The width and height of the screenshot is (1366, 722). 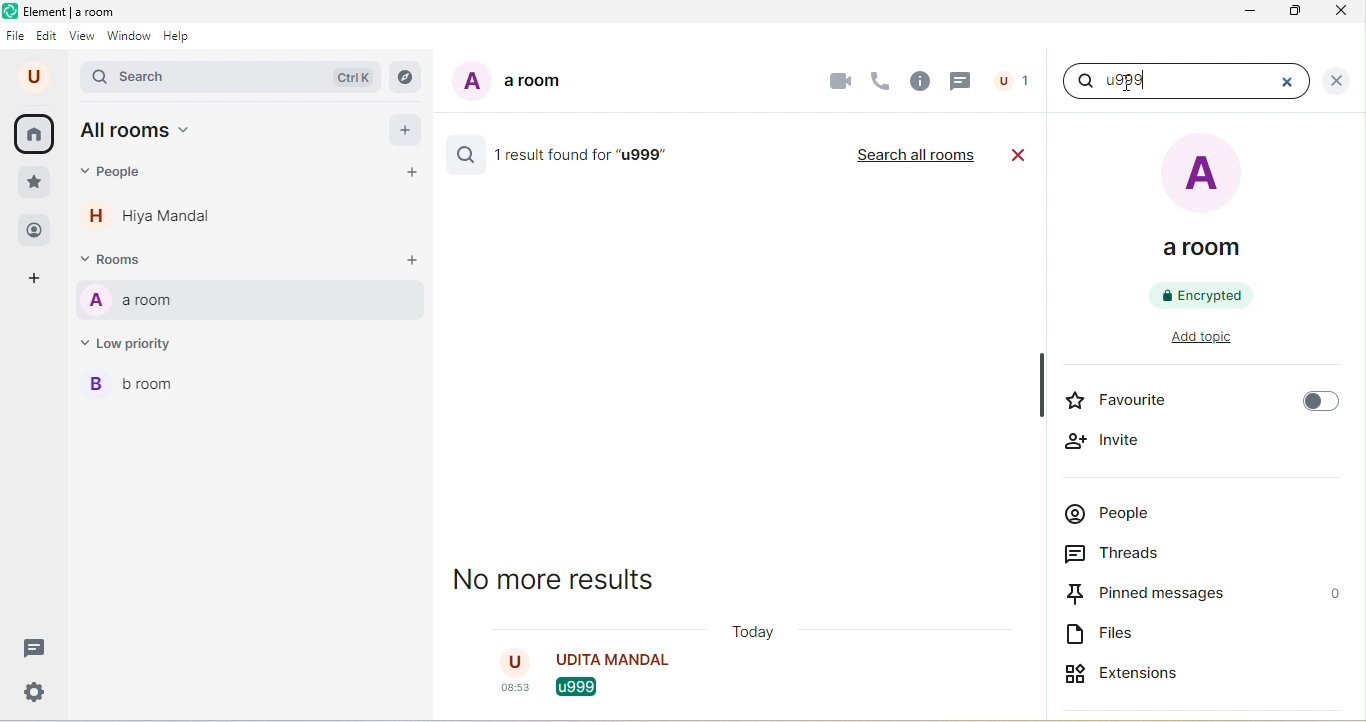 What do you see at coordinates (136, 347) in the screenshot?
I see `low priority` at bounding box center [136, 347].